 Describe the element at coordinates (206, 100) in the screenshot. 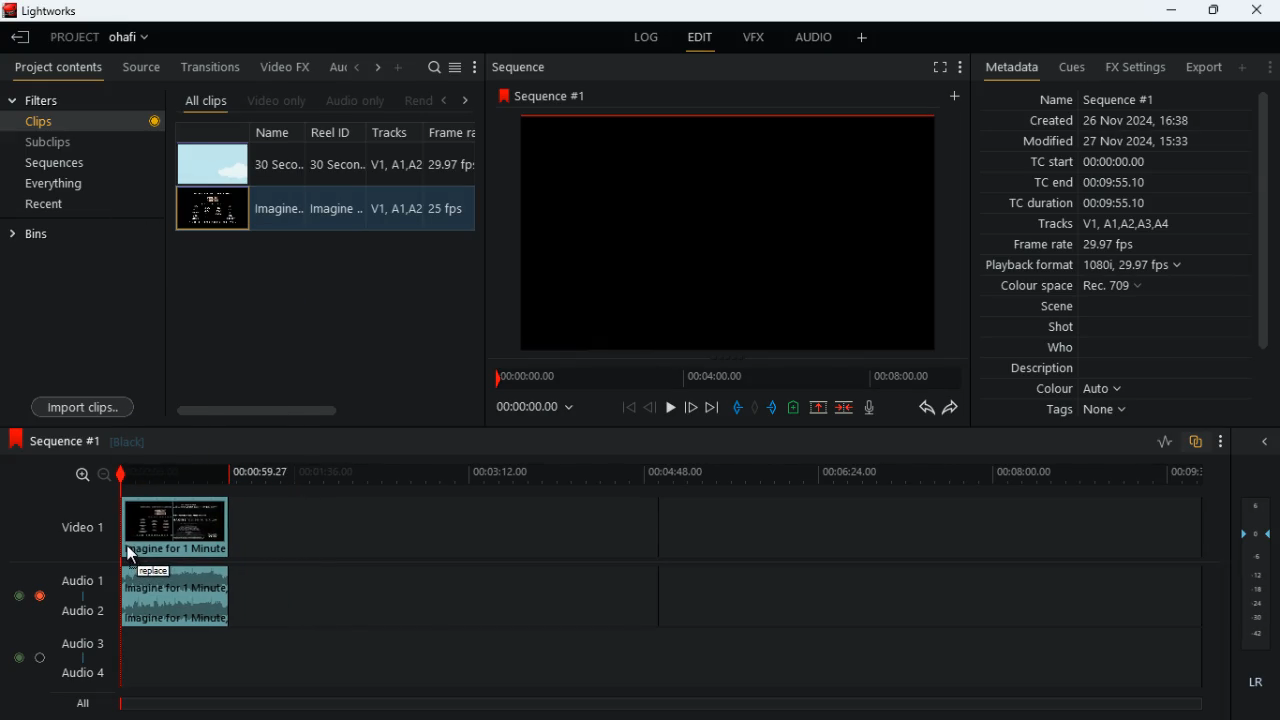

I see `all clips` at that location.